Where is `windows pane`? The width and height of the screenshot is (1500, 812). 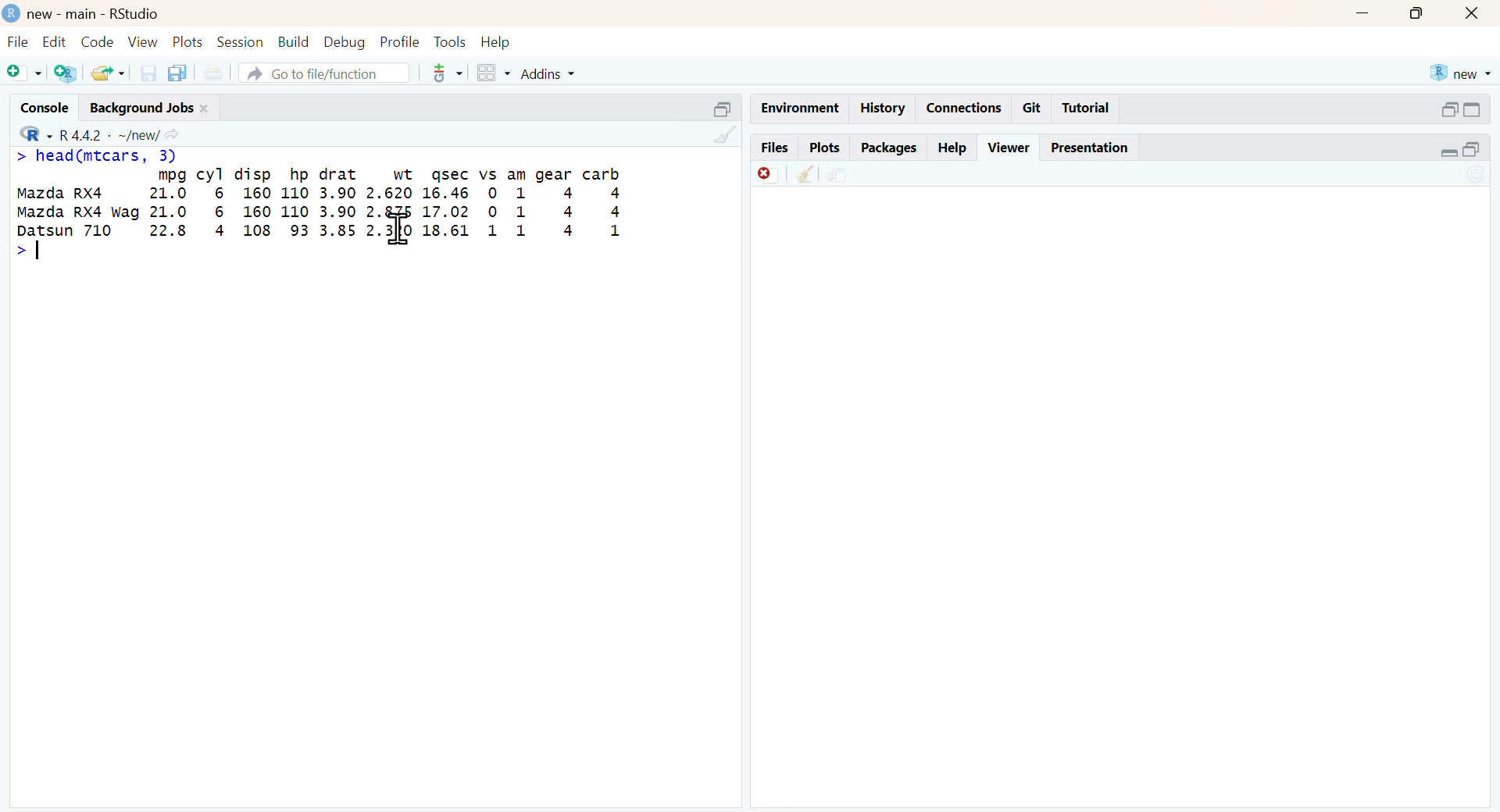 windows pane is located at coordinates (487, 73).